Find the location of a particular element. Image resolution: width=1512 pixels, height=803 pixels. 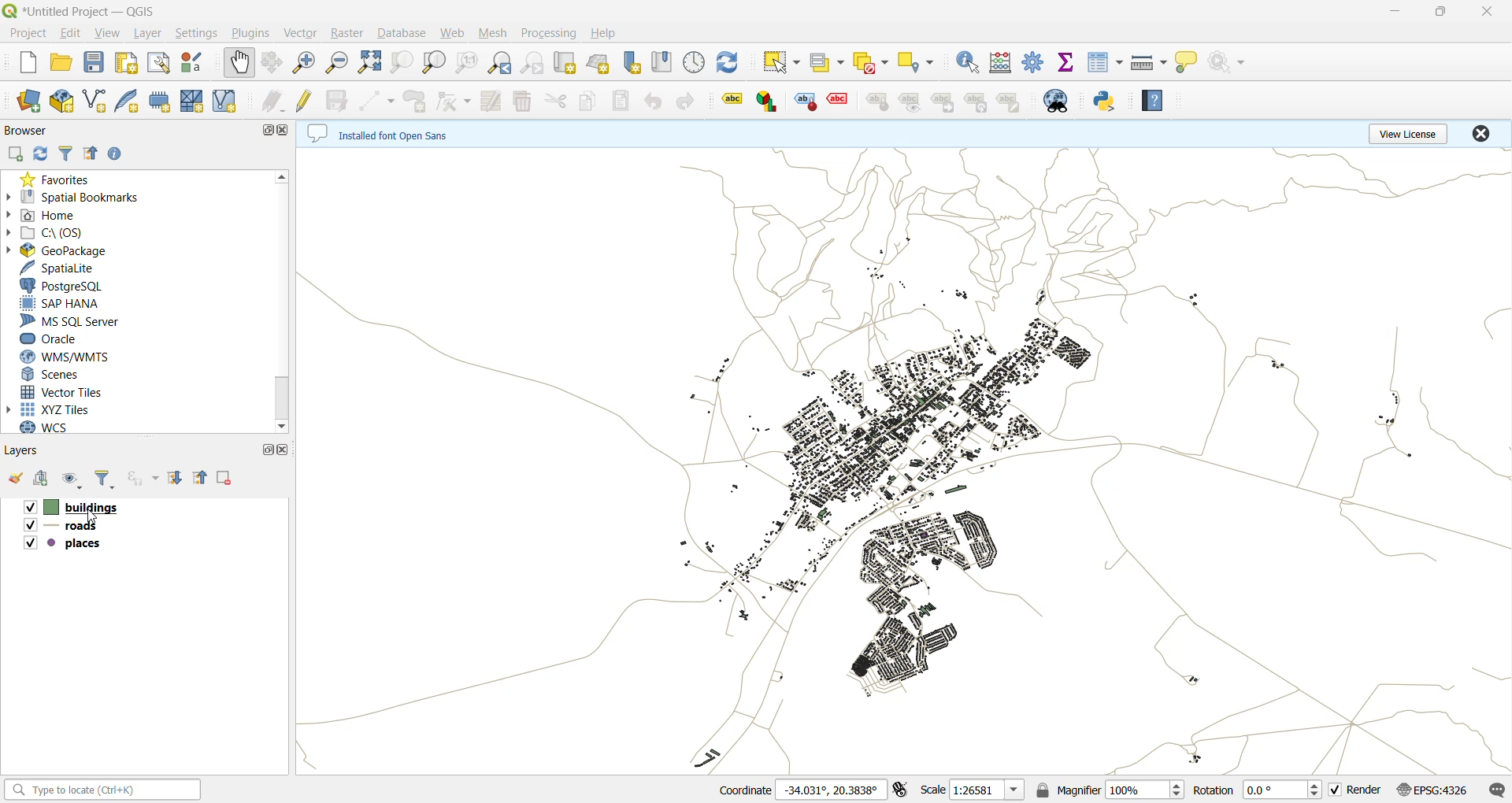

metadata is located at coordinates (393, 135).